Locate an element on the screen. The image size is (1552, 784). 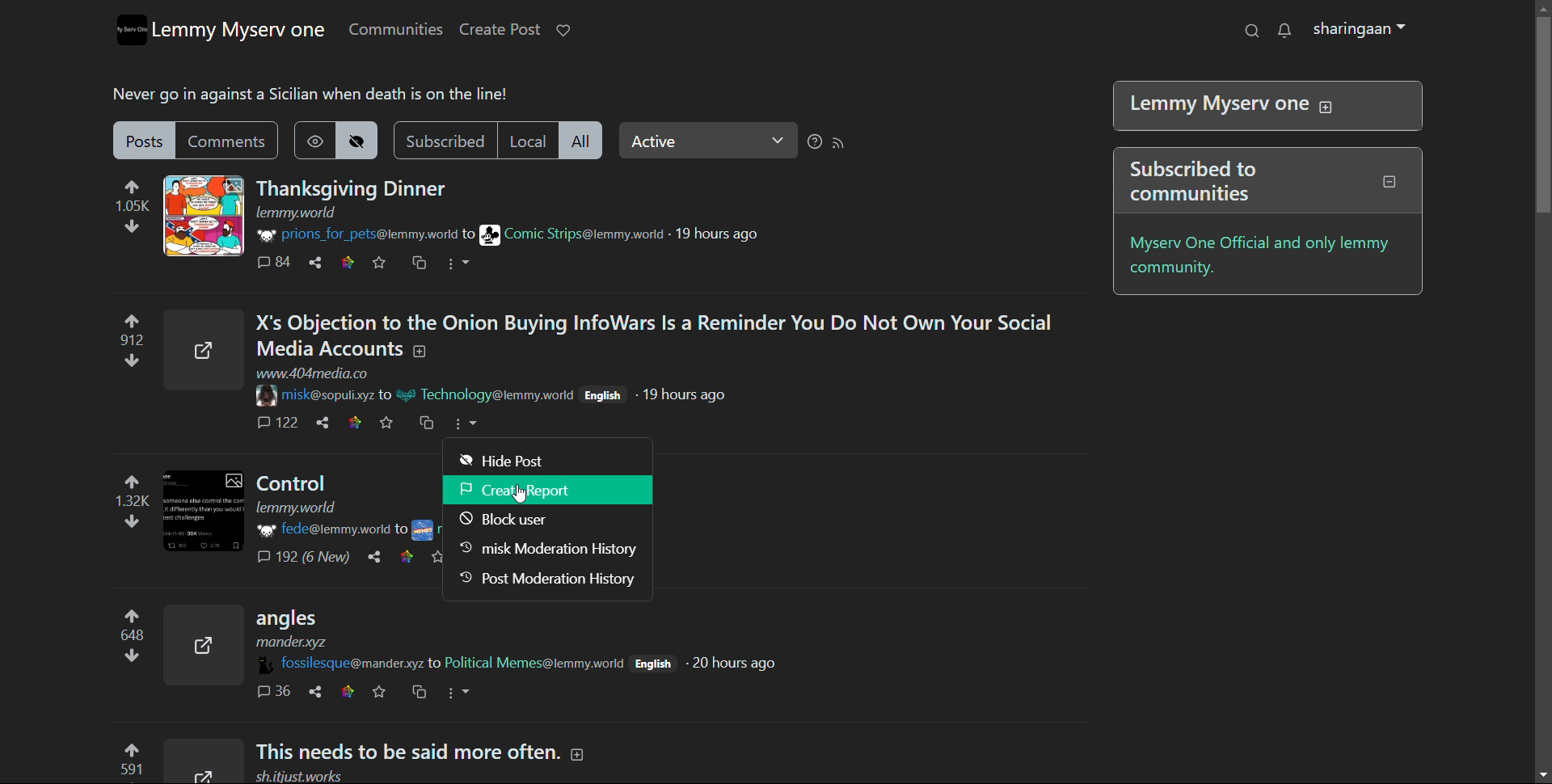
Scroll bar is located at coordinates (1541, 147).